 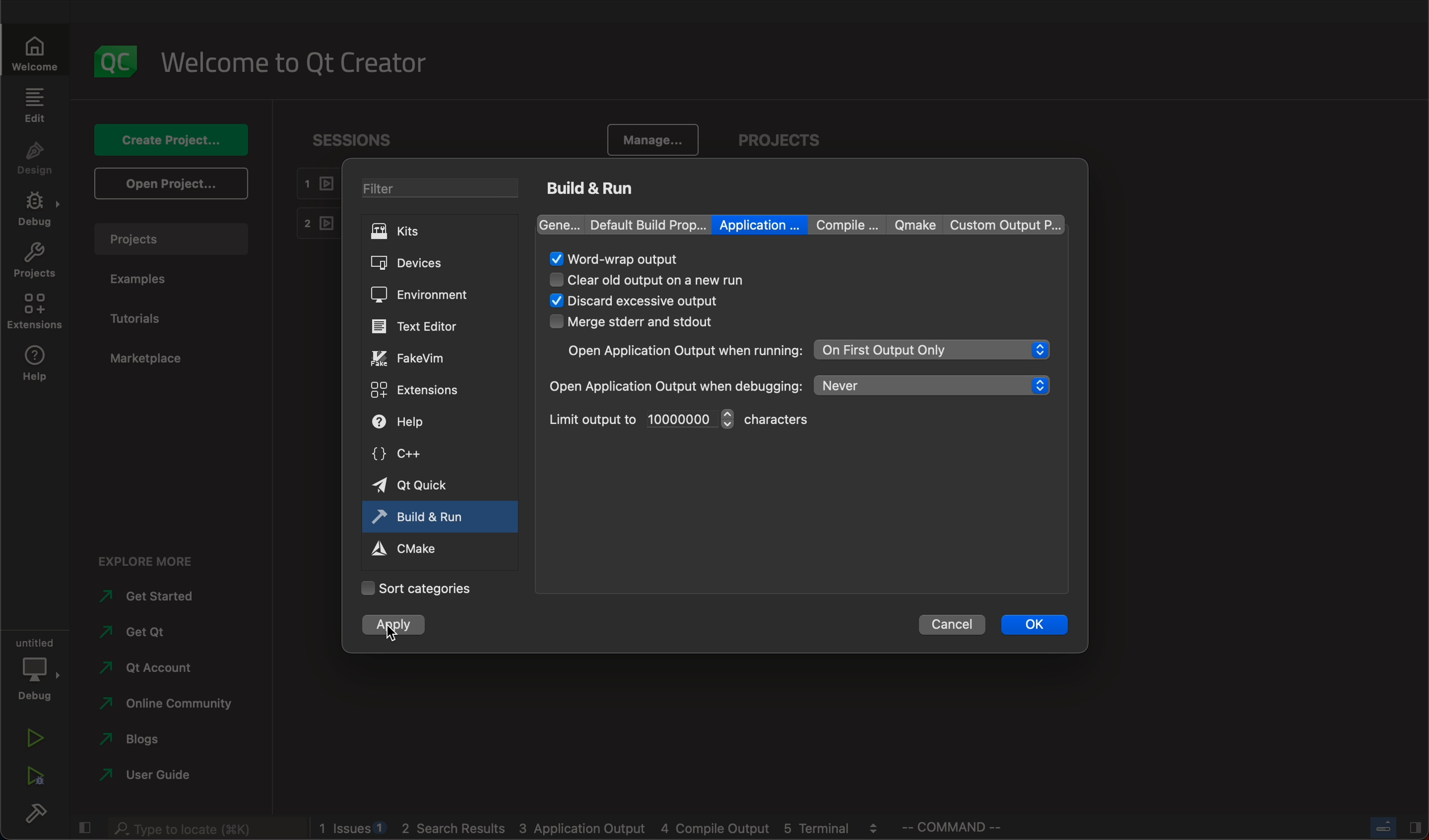 I want to click on manage, so click(x=657, y=138).